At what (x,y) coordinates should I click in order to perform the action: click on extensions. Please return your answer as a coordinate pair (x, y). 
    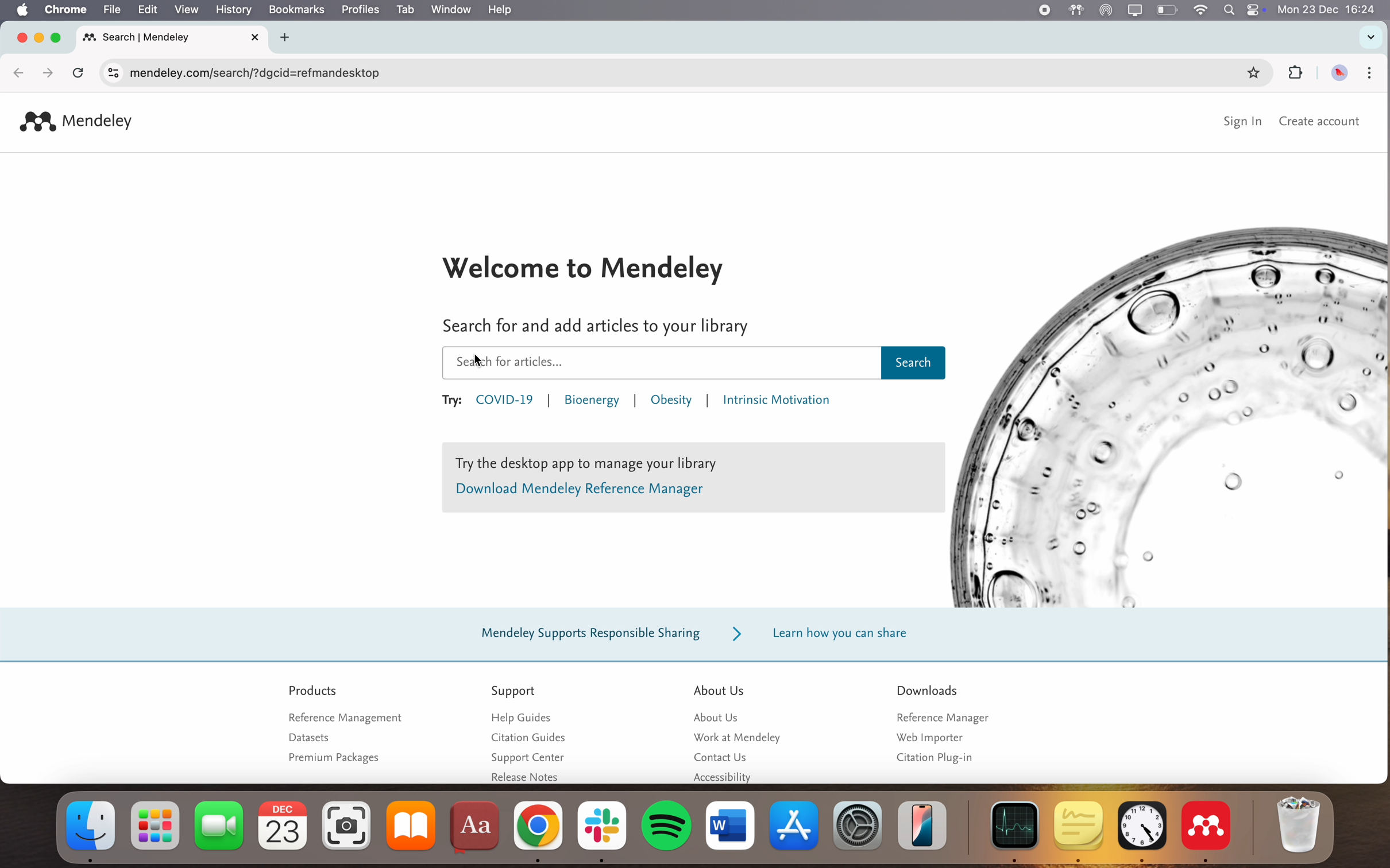
    Looking at the image, I should click on (1295, 72).